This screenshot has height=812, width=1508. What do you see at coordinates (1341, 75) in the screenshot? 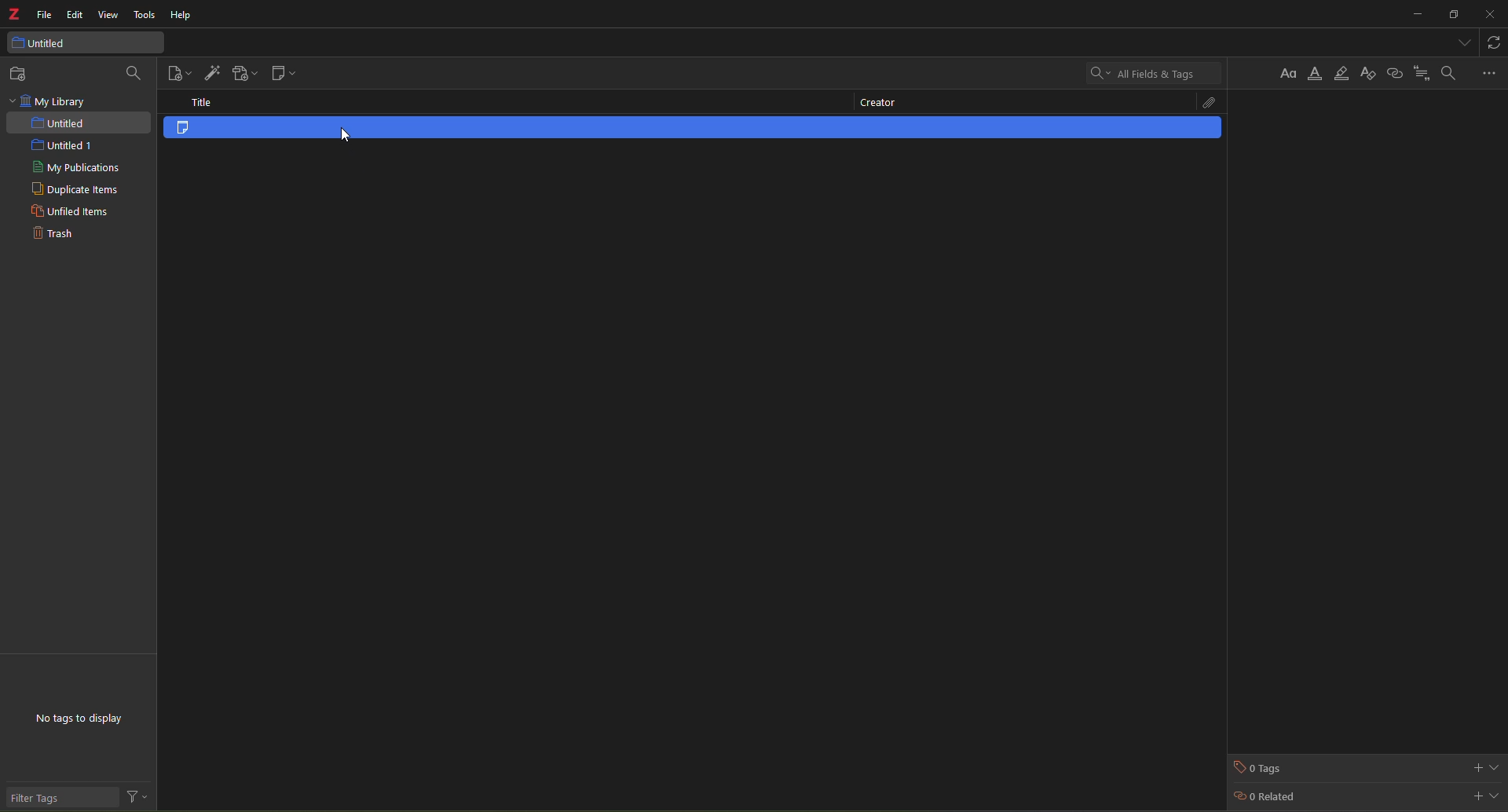
I see `highlight text` at bounding box center [1341, 75].